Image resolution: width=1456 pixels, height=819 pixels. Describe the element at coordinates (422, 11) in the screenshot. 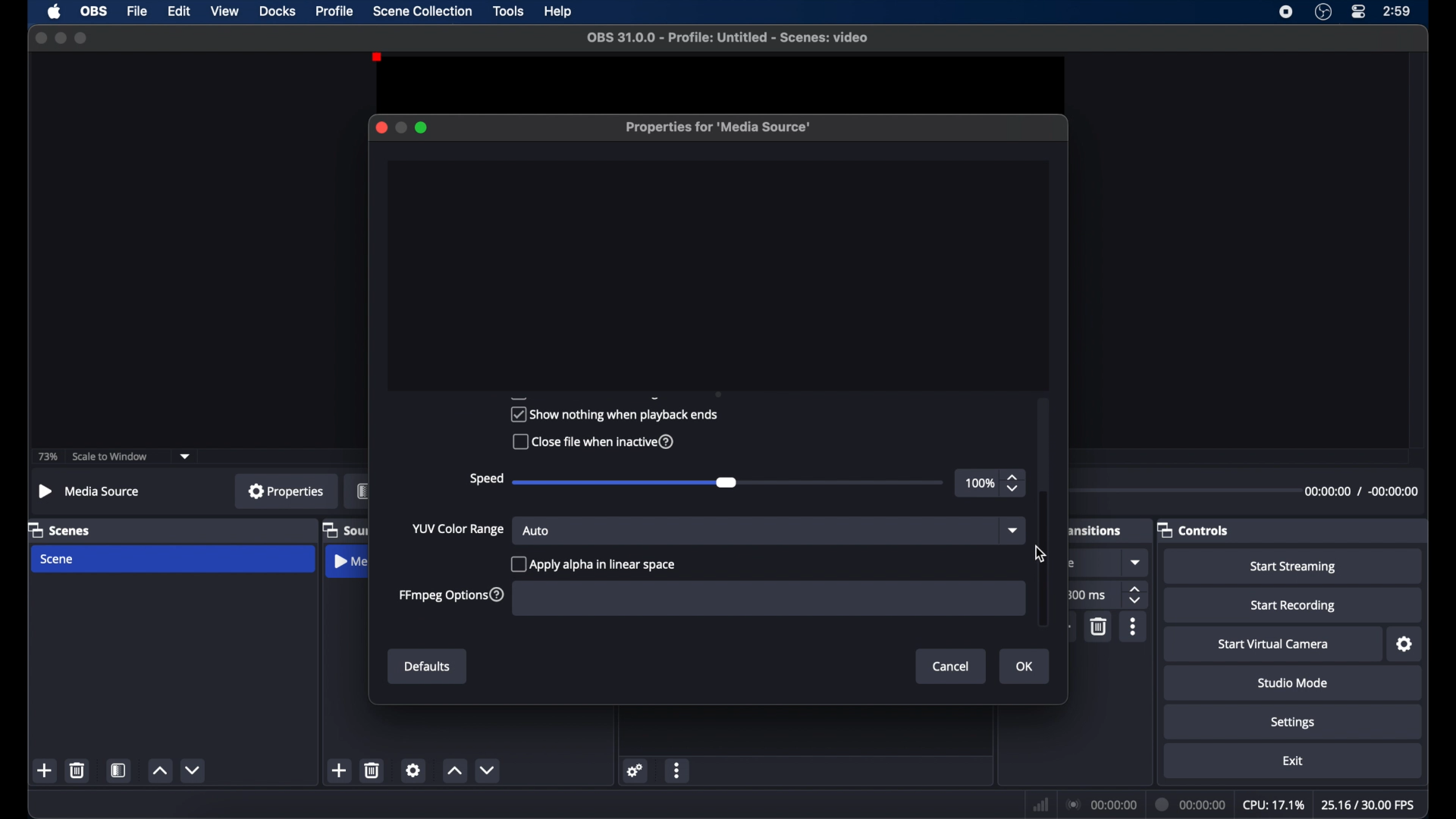

I see `scene collection` at that location.